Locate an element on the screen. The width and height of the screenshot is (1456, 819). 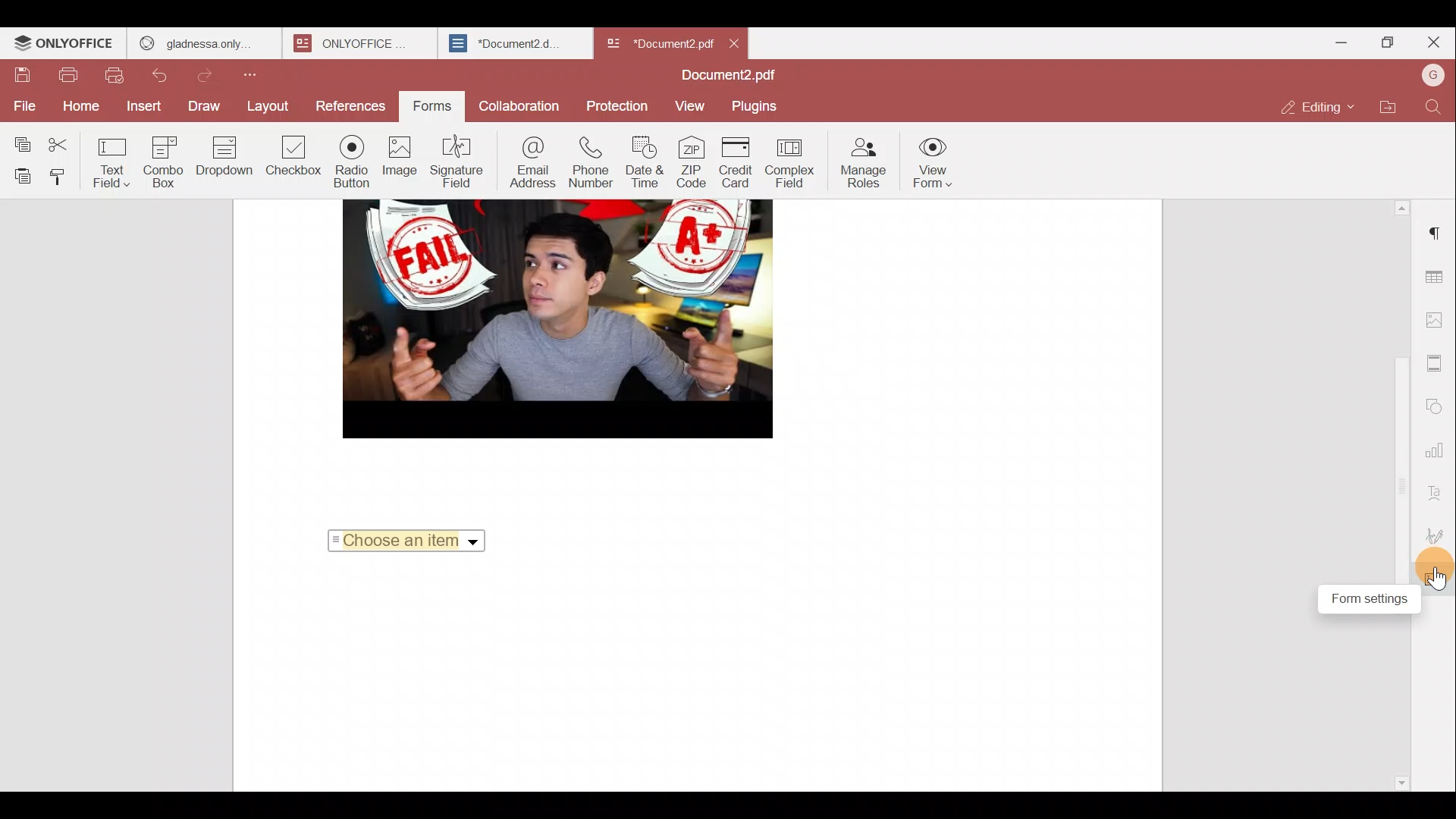
Save is located at coordinates (23, 76).